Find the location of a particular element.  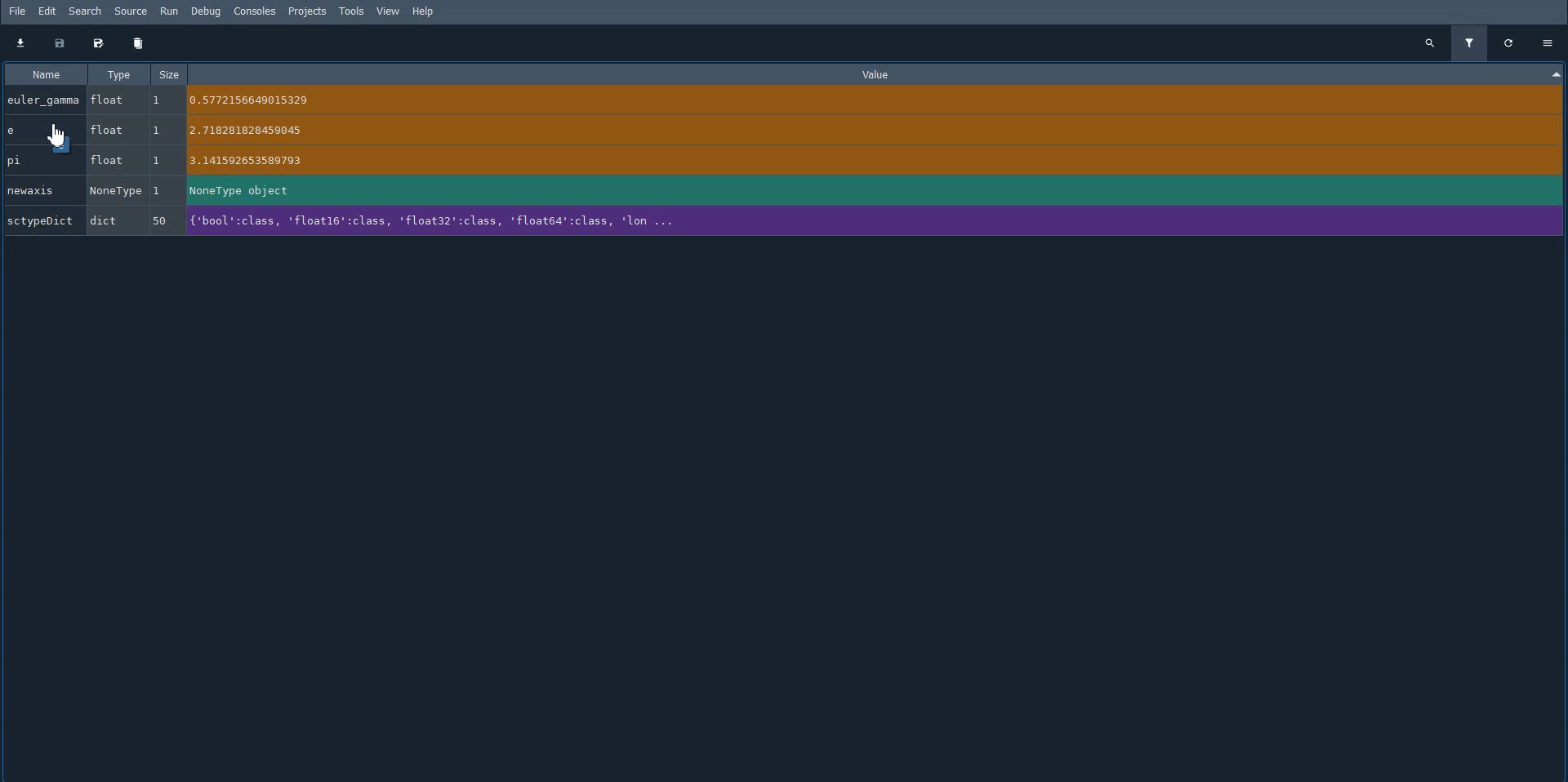

e is located at coordinates (784, 131).